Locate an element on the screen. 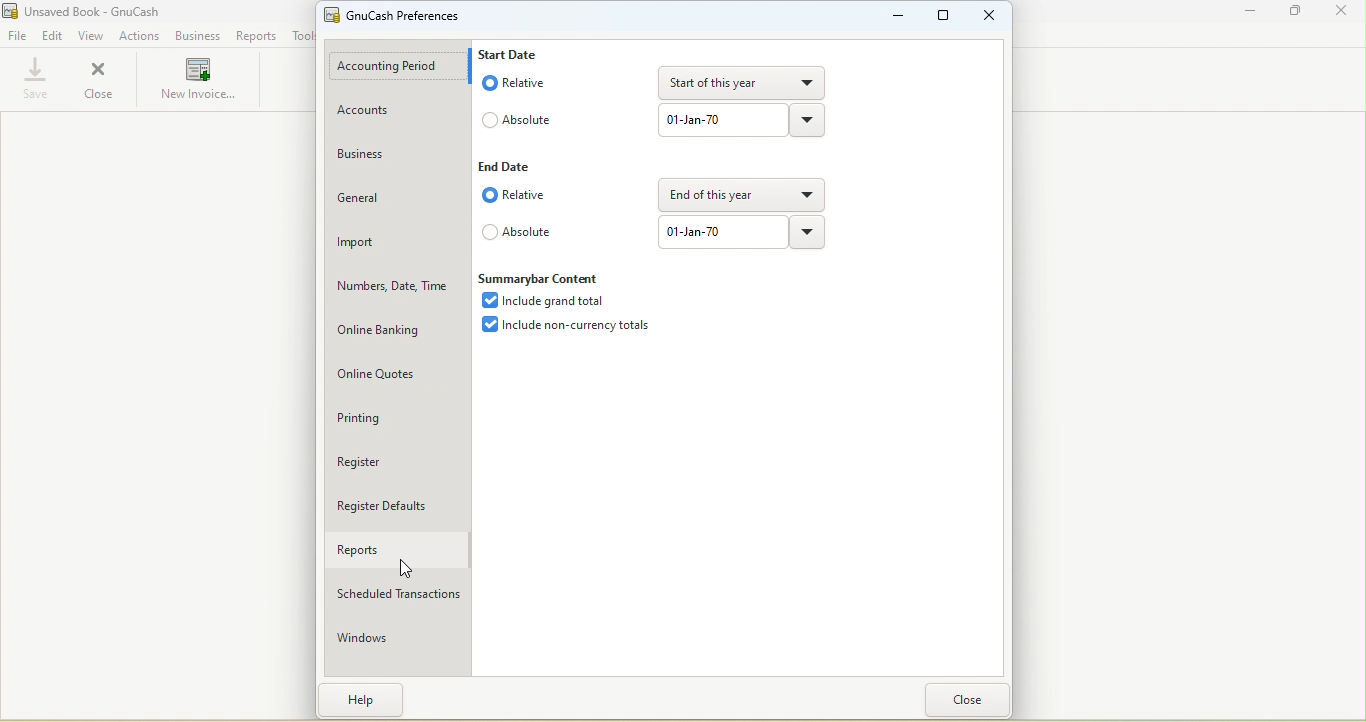 This screenshot has height=722, width=1366. Accounting period is located at coordinates (401, 67).